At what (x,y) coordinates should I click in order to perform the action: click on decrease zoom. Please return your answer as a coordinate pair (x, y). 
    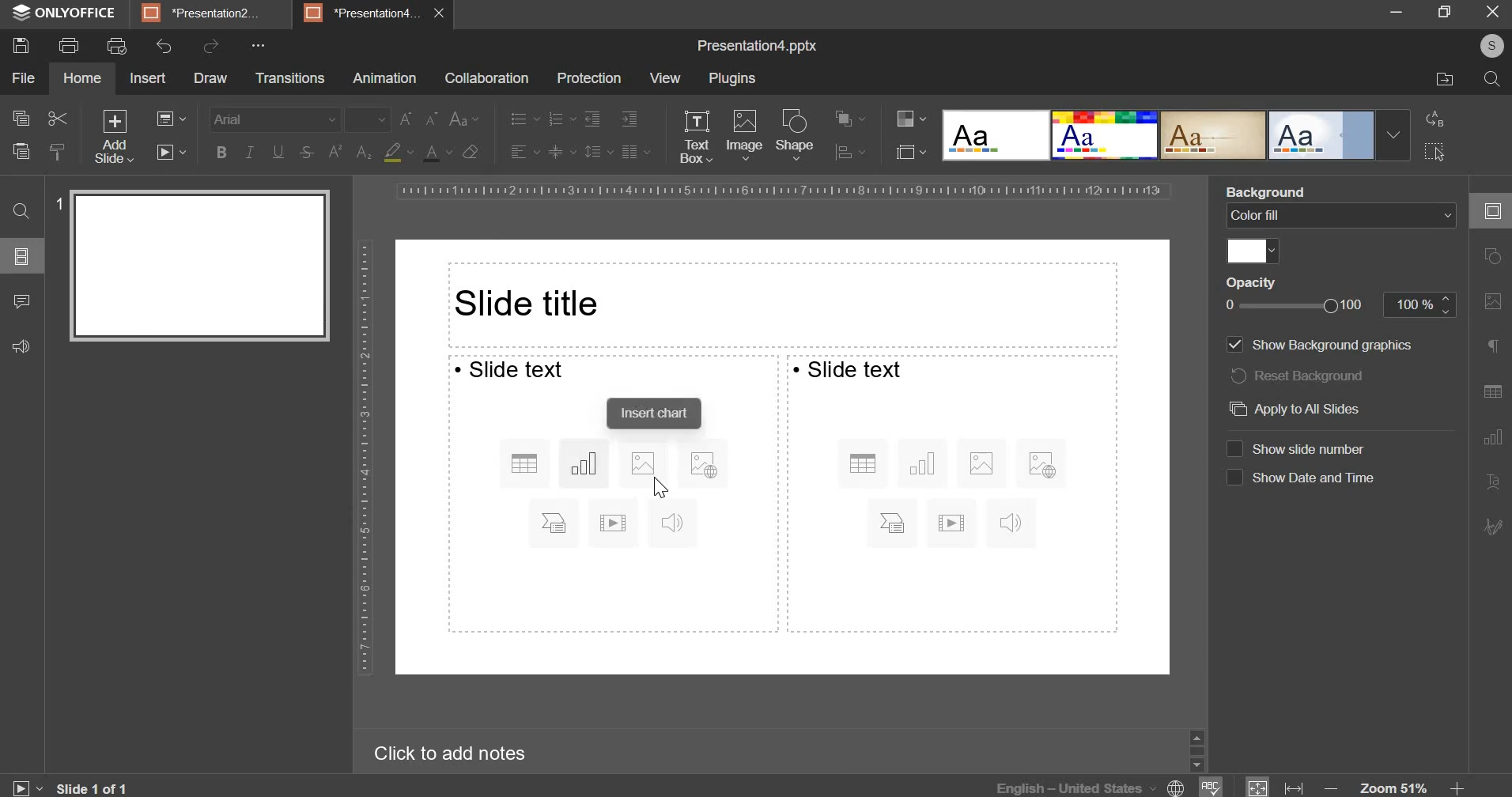
    Looking at the image, I should click on (1334, 788).